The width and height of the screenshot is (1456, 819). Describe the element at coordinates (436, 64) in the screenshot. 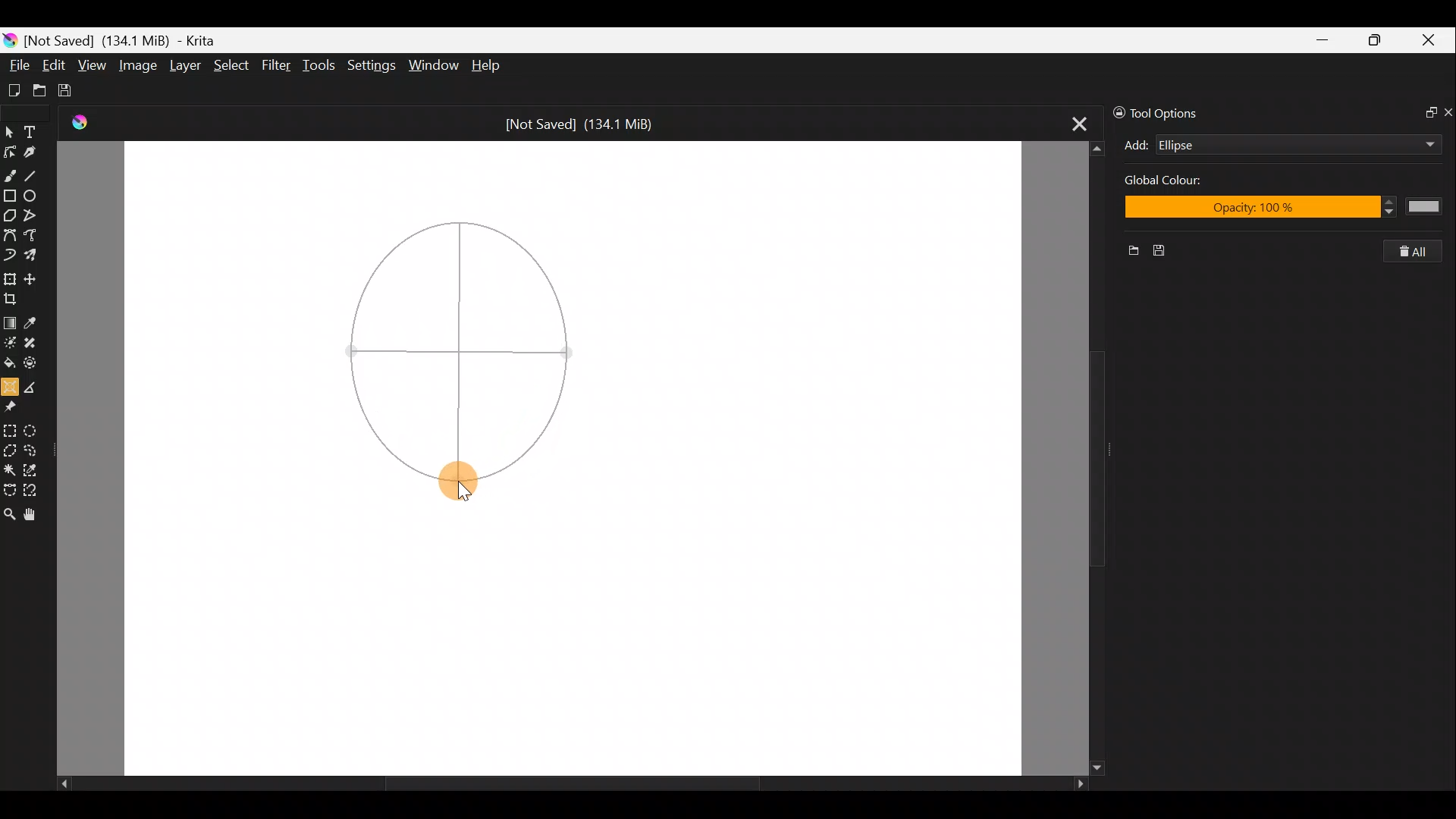

I see `Window` at that location.